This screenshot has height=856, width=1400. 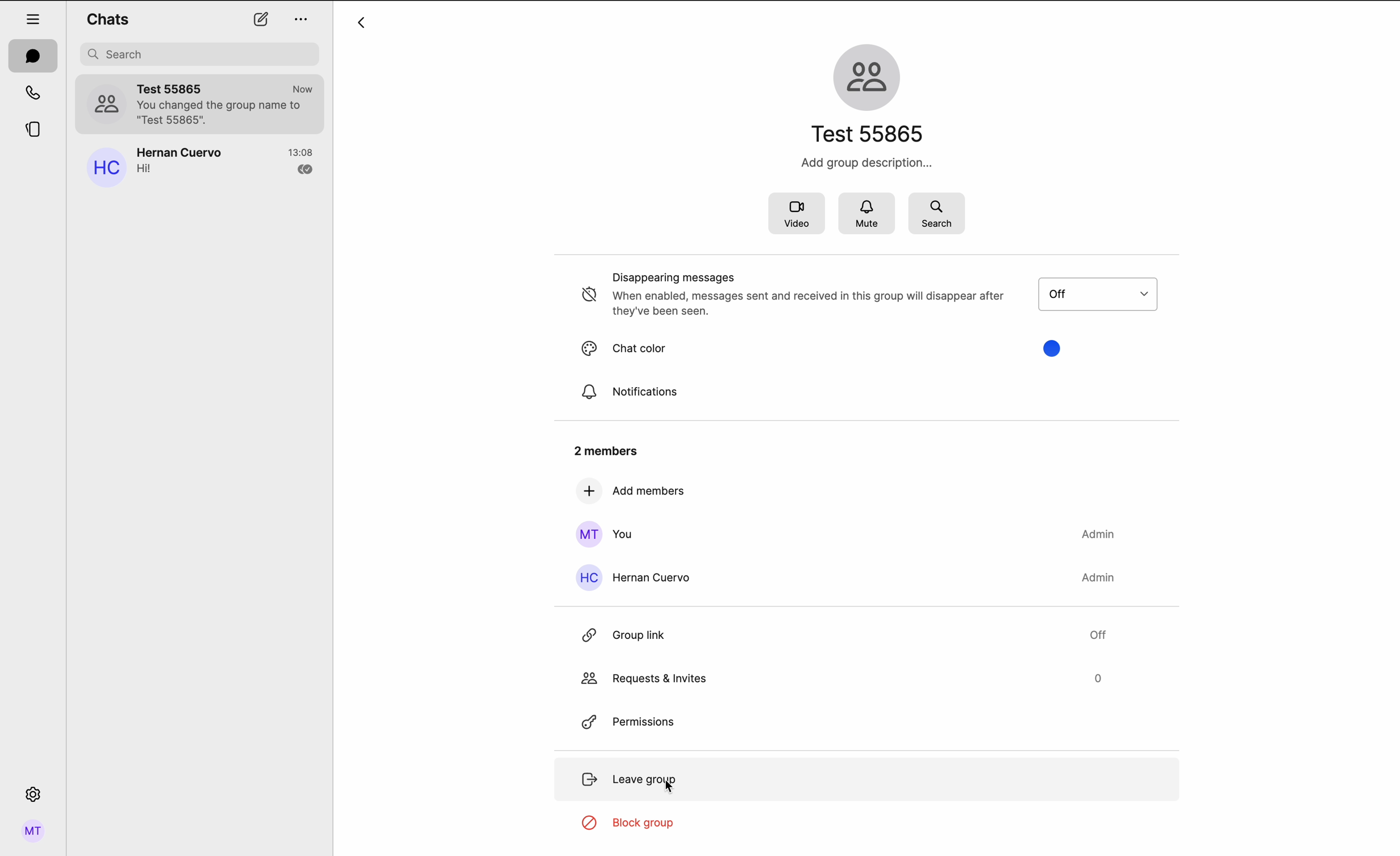 I want to click on add members, so click(x=631, y=492).